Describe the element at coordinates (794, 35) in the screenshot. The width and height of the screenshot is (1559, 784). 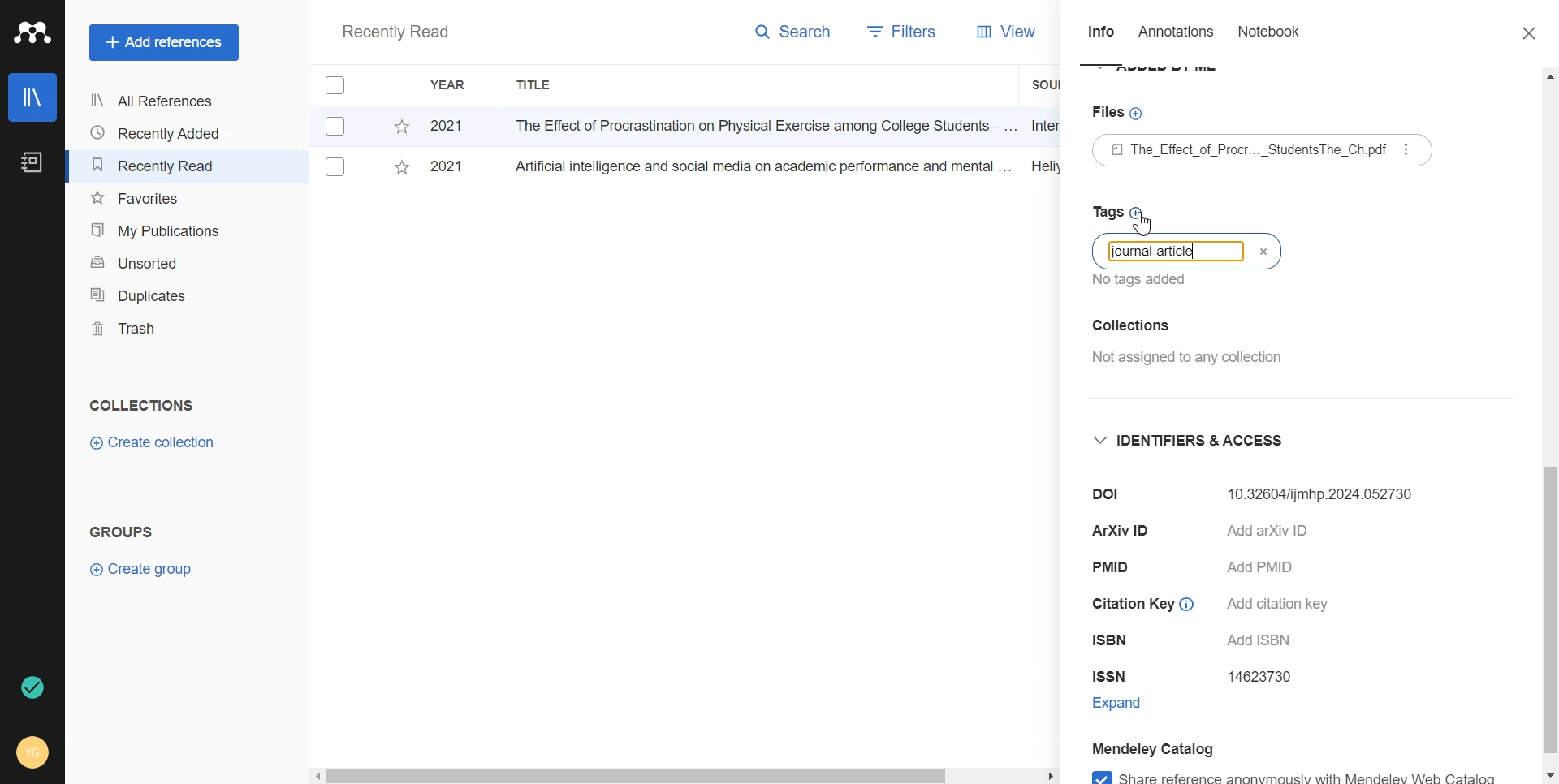
I see `Search` at that location.